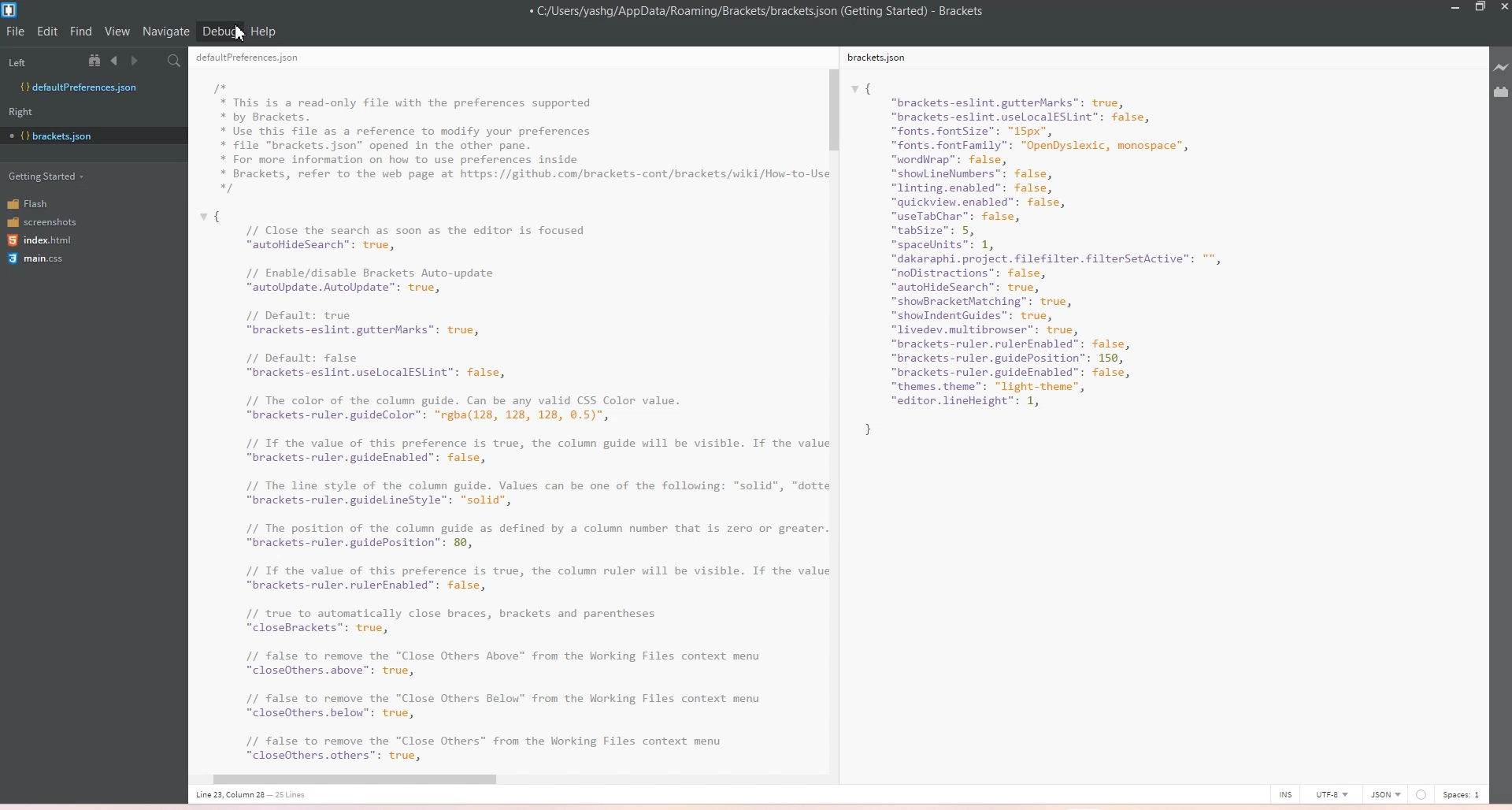 This screenshot has height=810, width=1512. Describe the element at coordinates (39, 60) in the screenshot. I see `Left` at that location.